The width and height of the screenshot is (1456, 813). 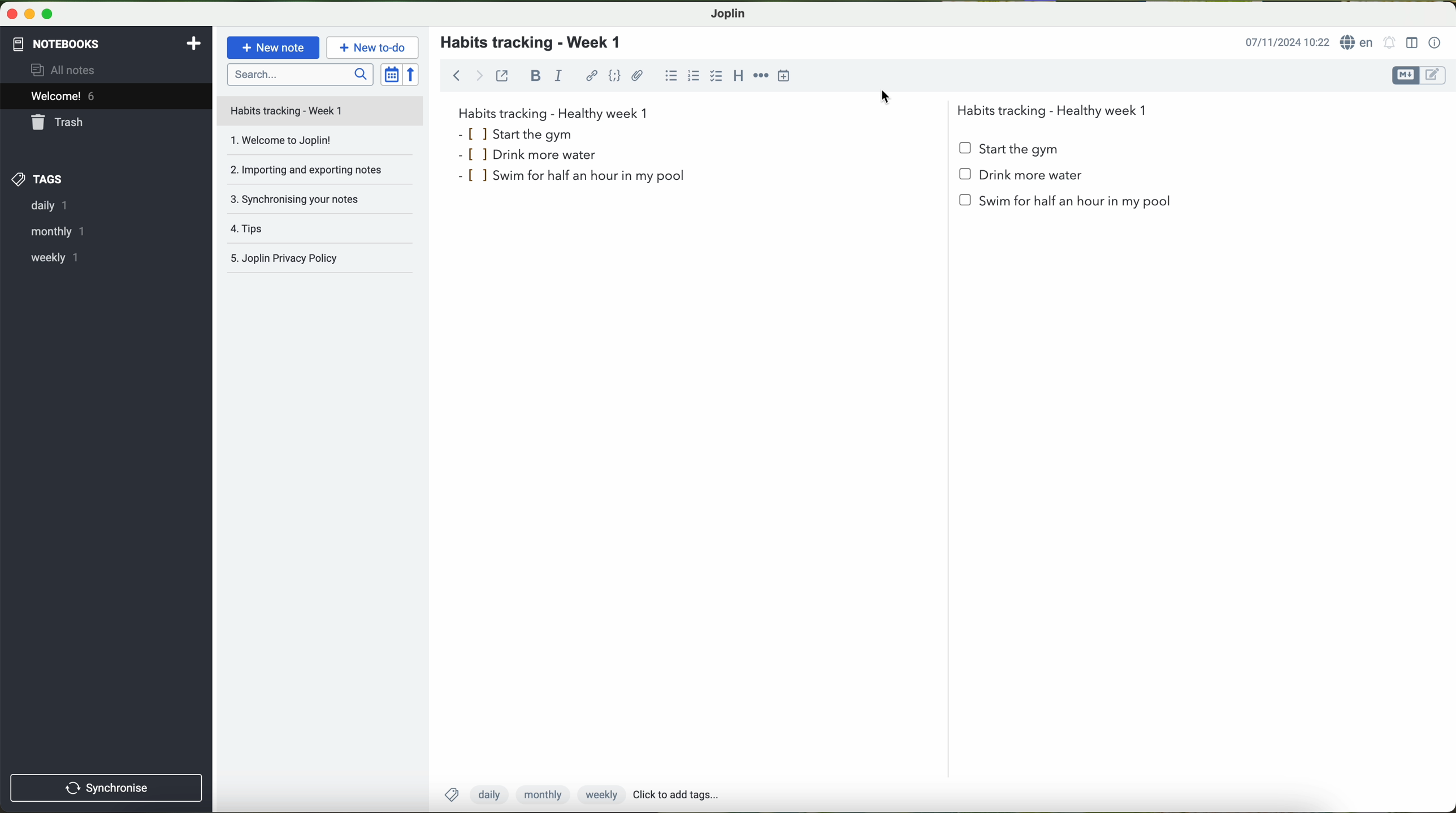 What do you see at coordinates (108, 44) in the screenshot?
I see `notebooks tab` at bounding box center [108, 44].